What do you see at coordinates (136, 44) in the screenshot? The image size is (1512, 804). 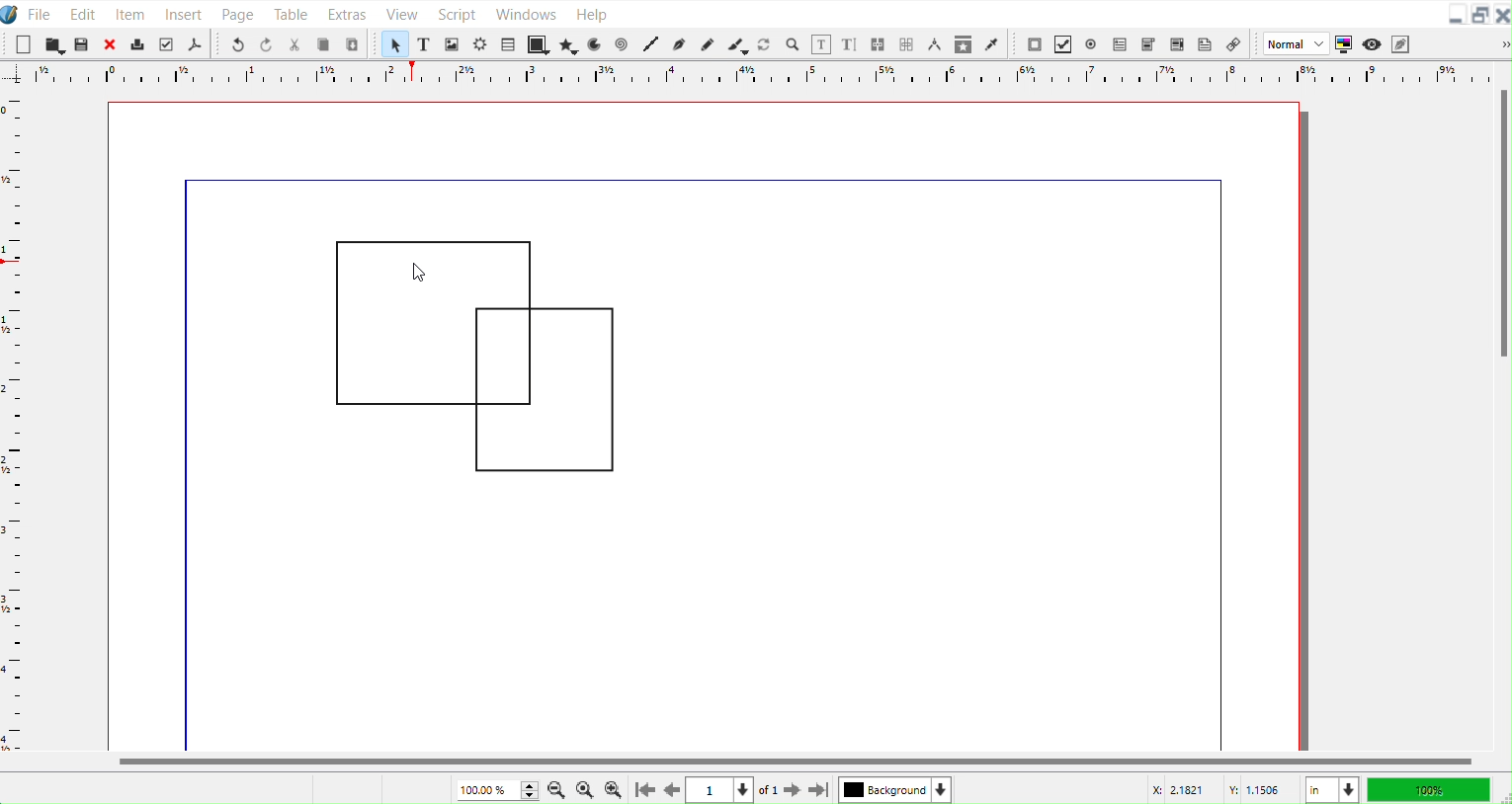 I see `Print` at bounding box center [136, 44].